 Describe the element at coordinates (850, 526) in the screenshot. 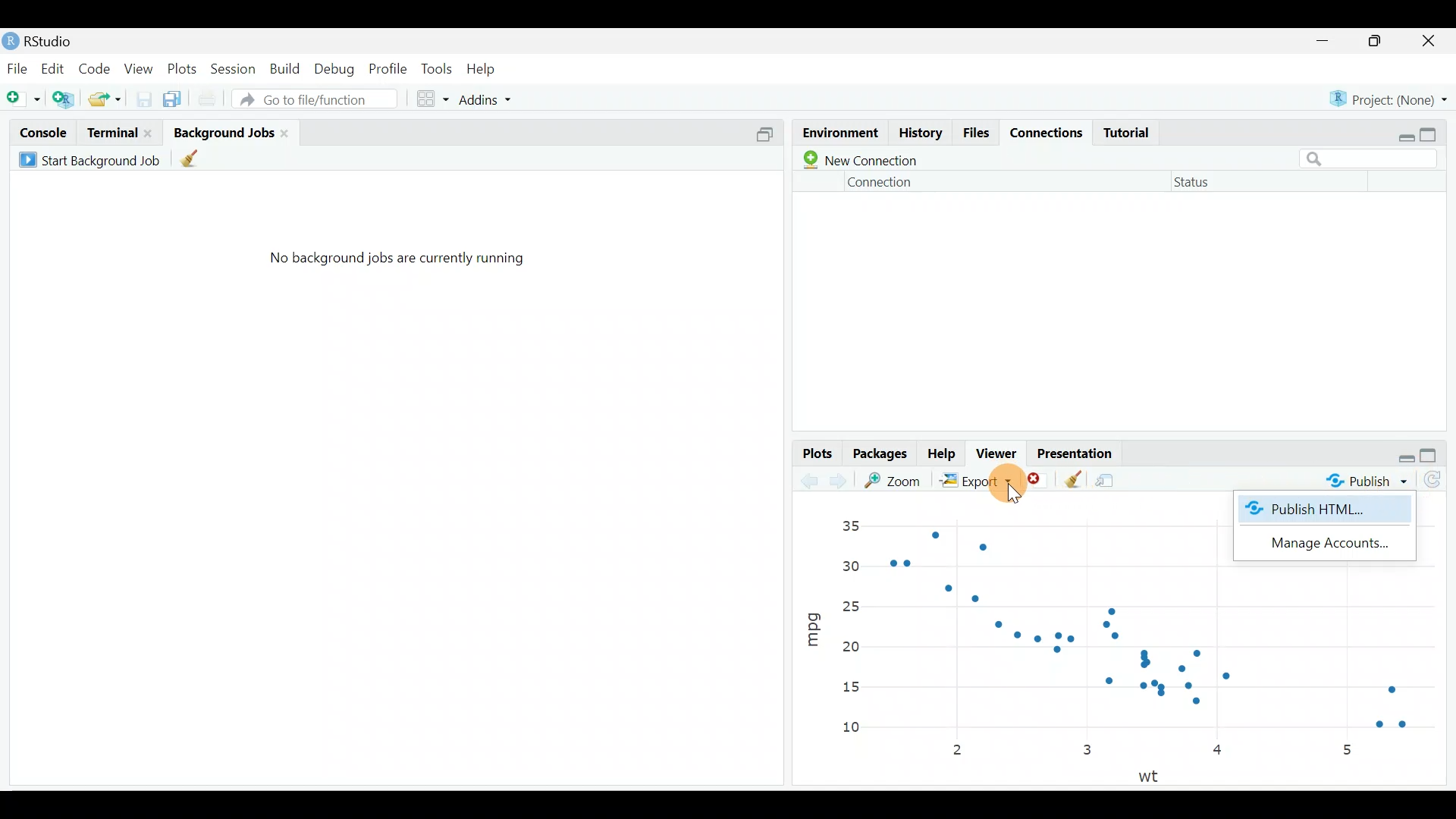

I see `35` at that location.